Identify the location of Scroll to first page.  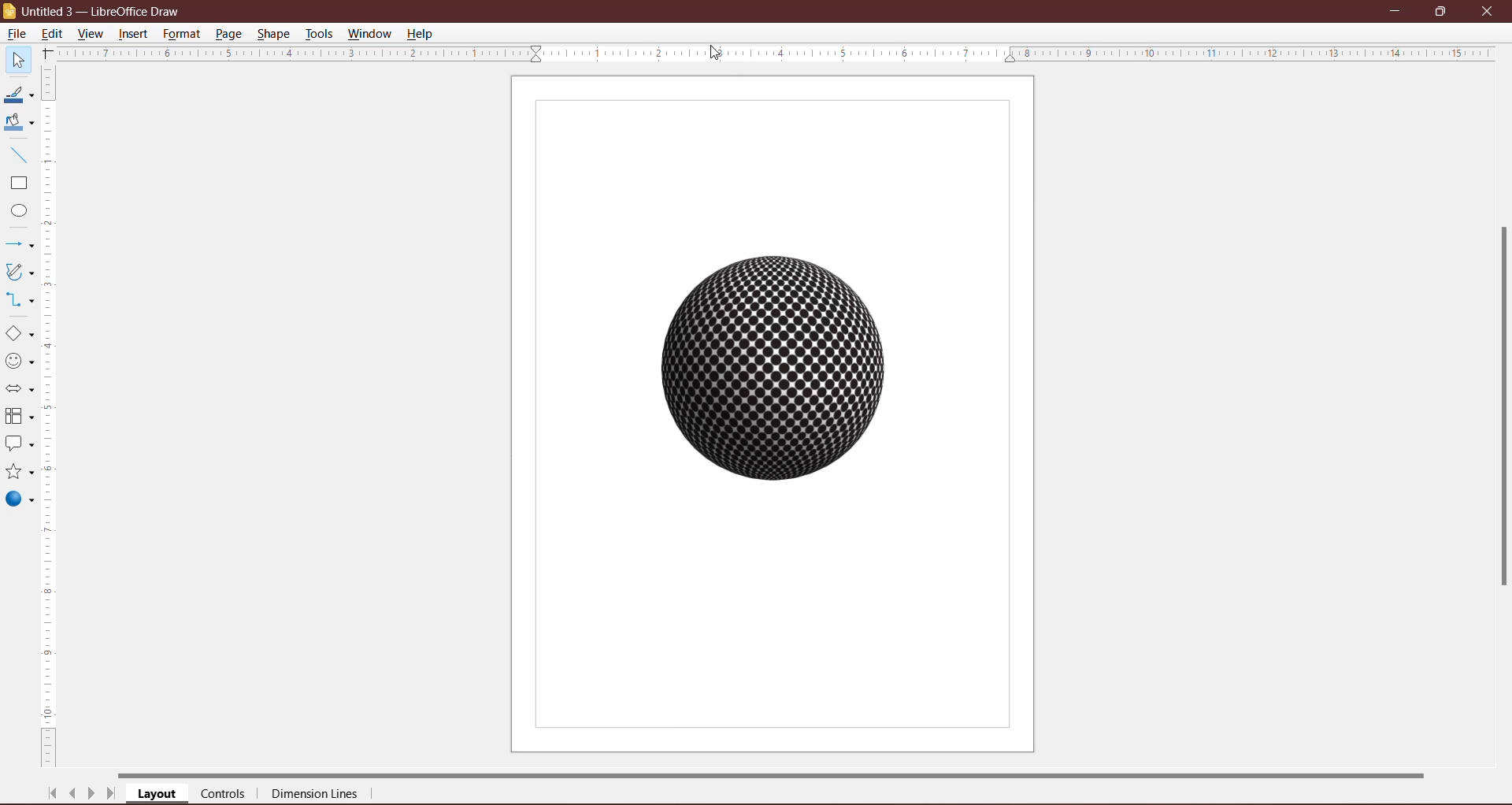
(53, 793).